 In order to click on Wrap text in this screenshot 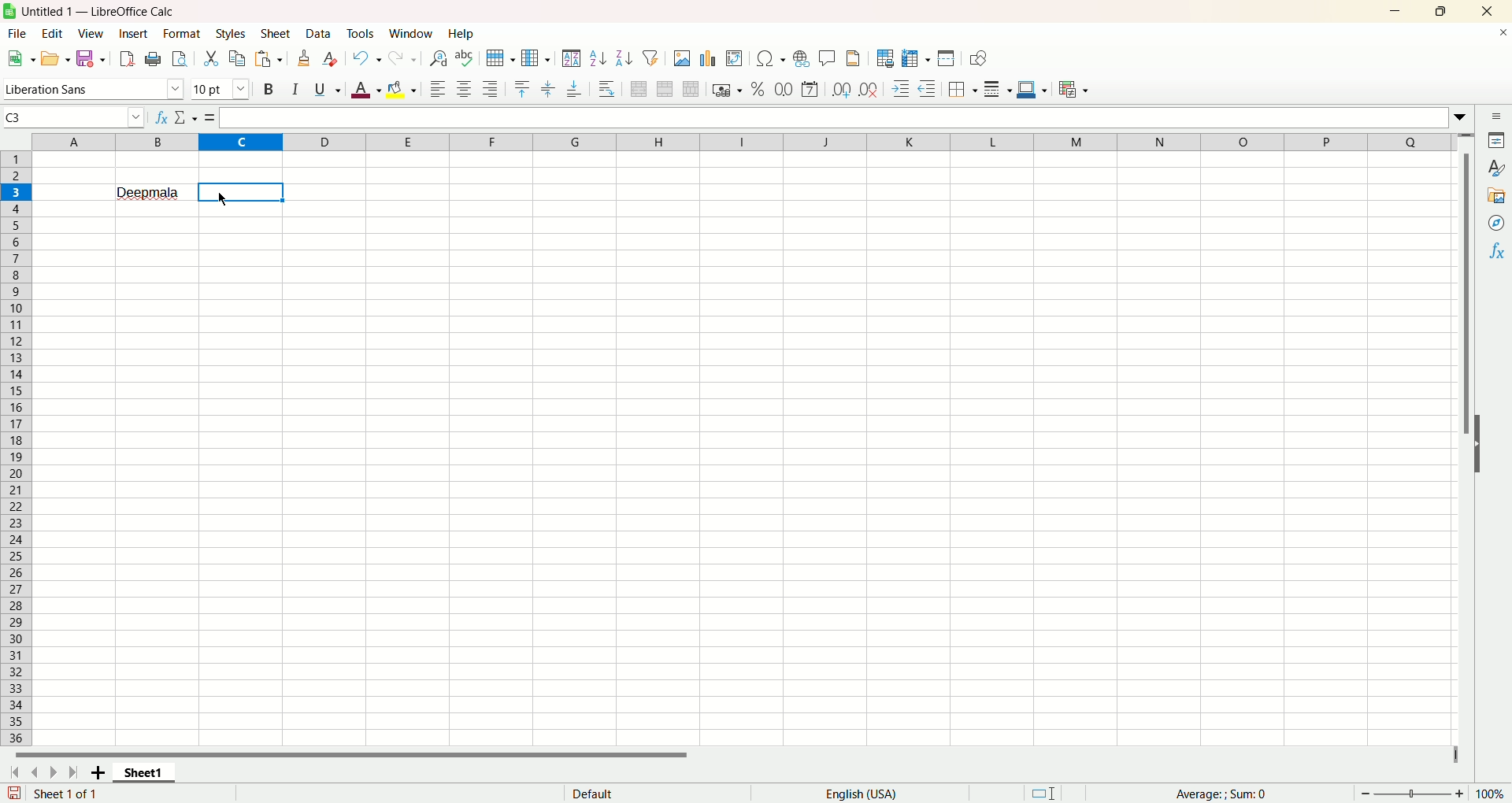, I will do `click(606, 87)`.